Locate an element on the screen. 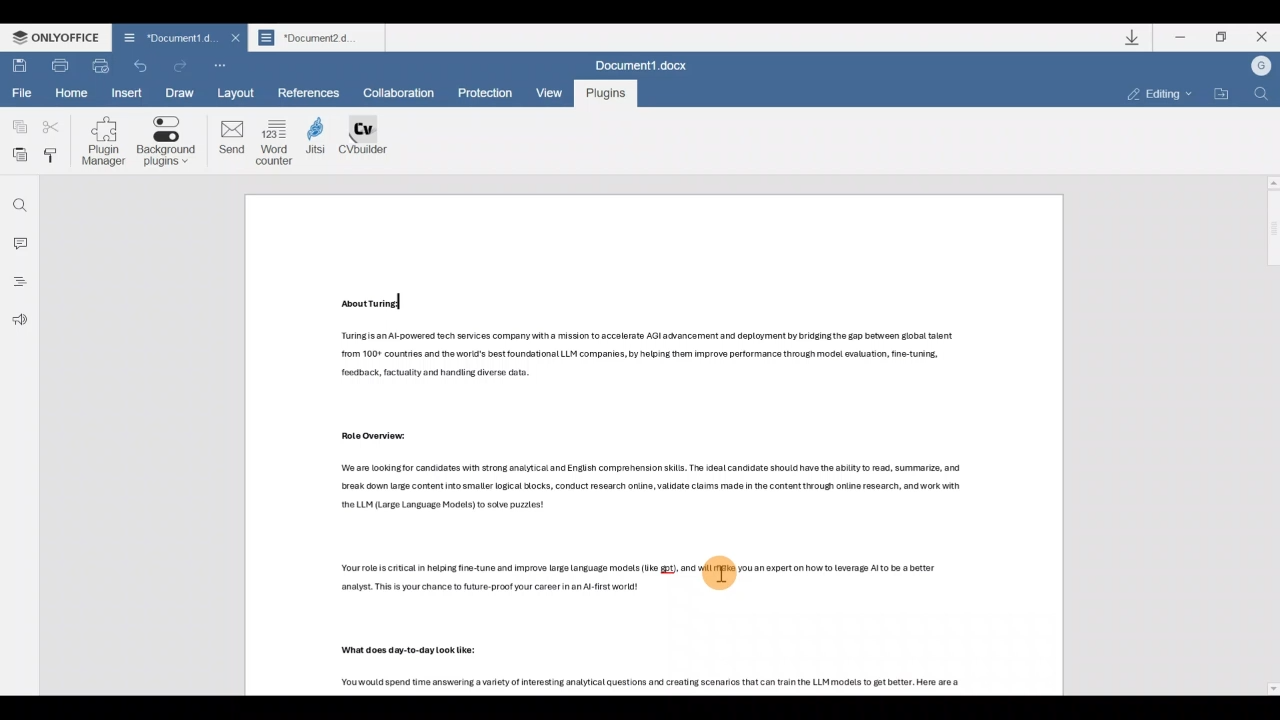  Save is located at coordinates (19, 64).